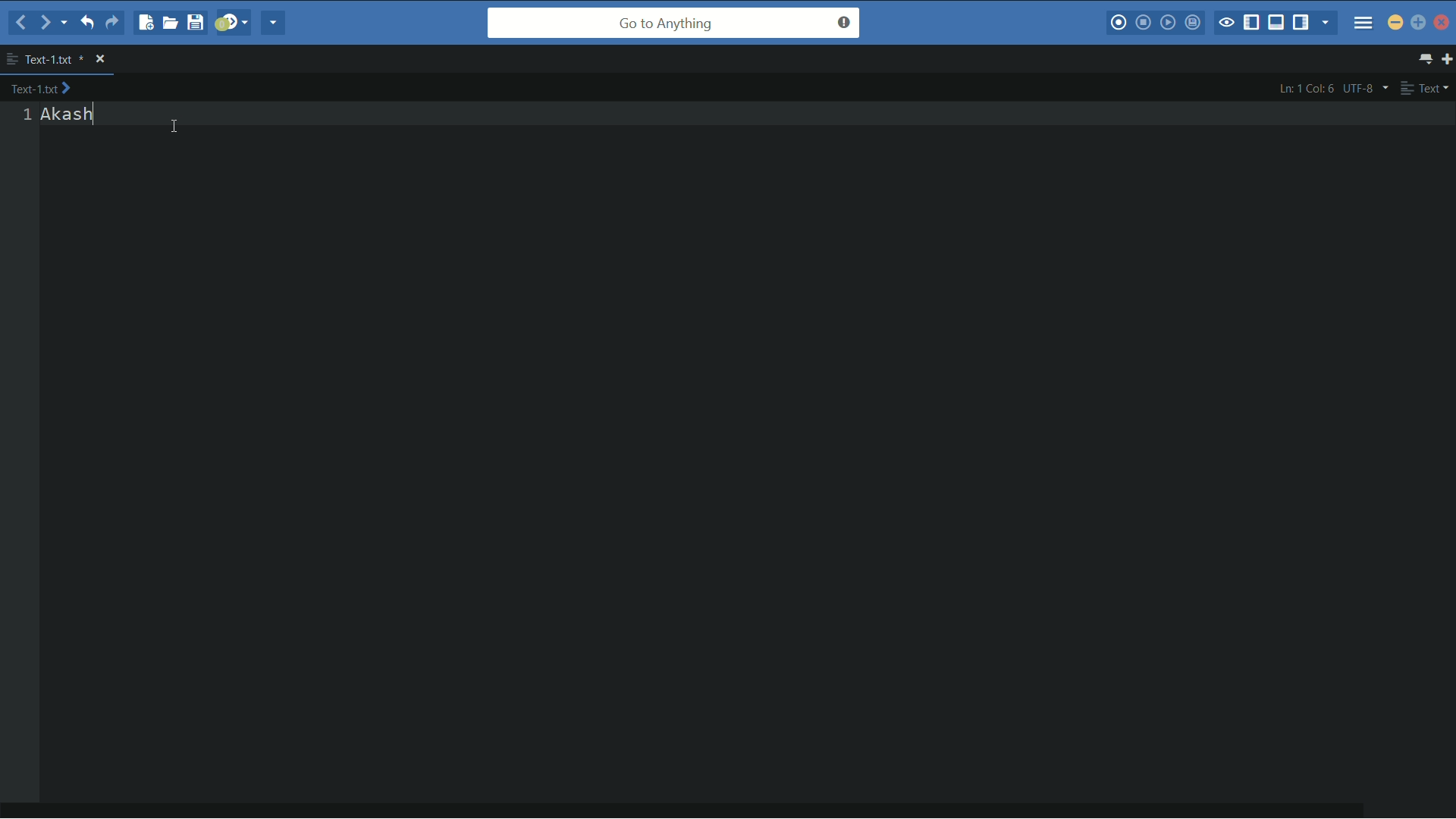 The image size is (1456, 819). Describe the element at coordinates (1426, 58) in the screenshot. I see `show all tab` at that location.